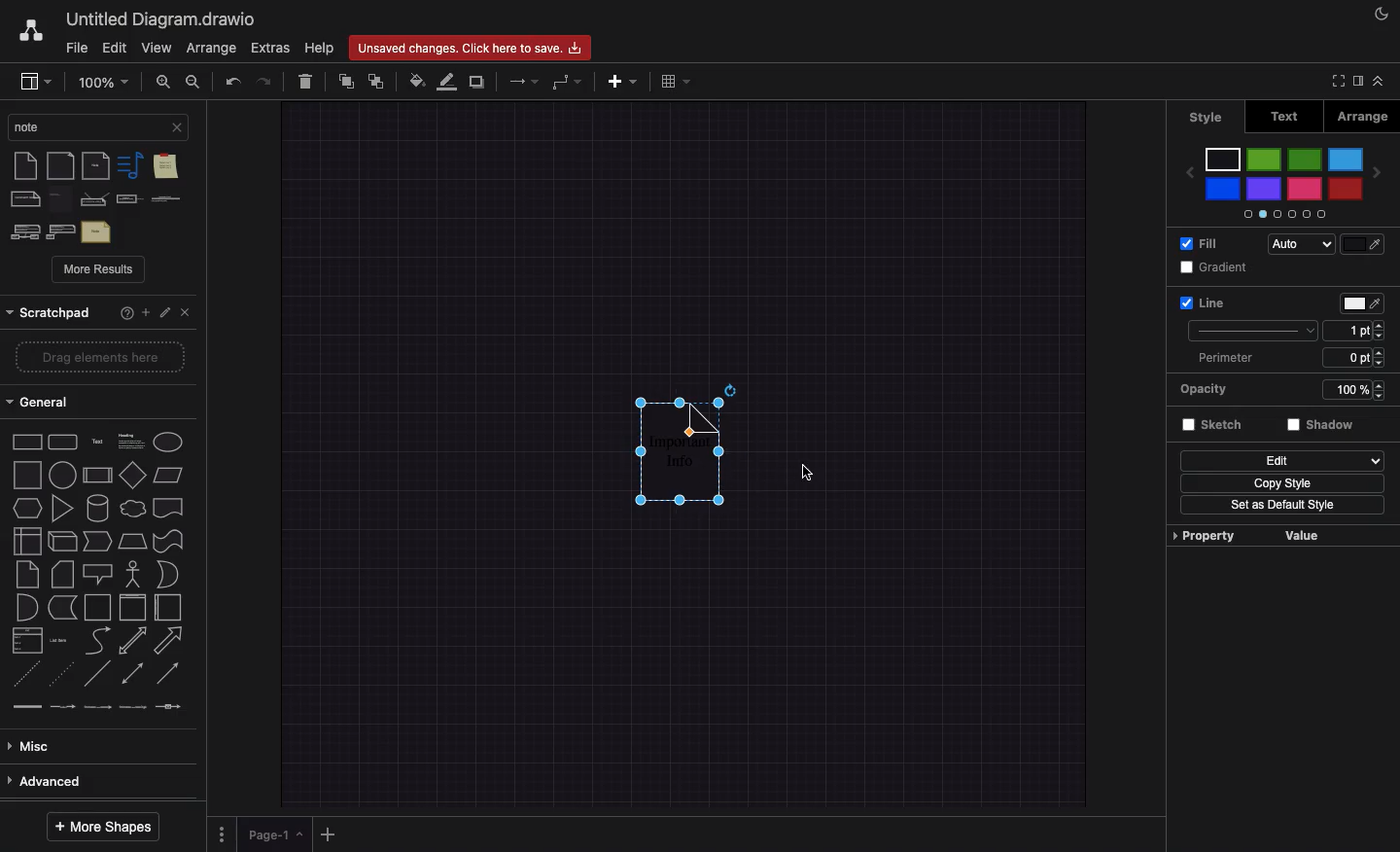 The height and width of the screenshot is (852, 1400). Describe the element at coordinates (165, 199) in the screenshot. I see `constraint textual note` at that location.